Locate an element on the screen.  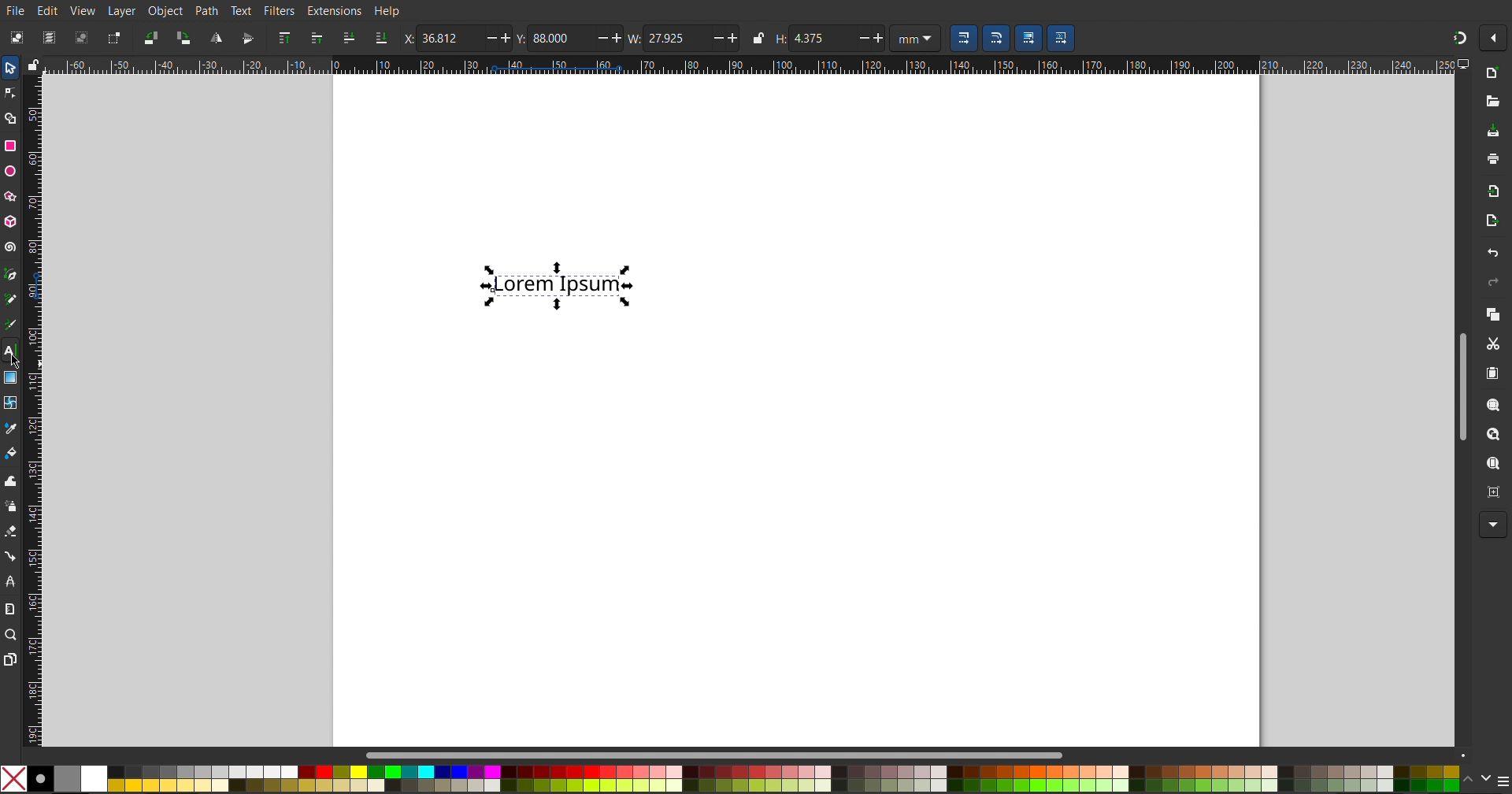
View is located at coordinates (83, 9).